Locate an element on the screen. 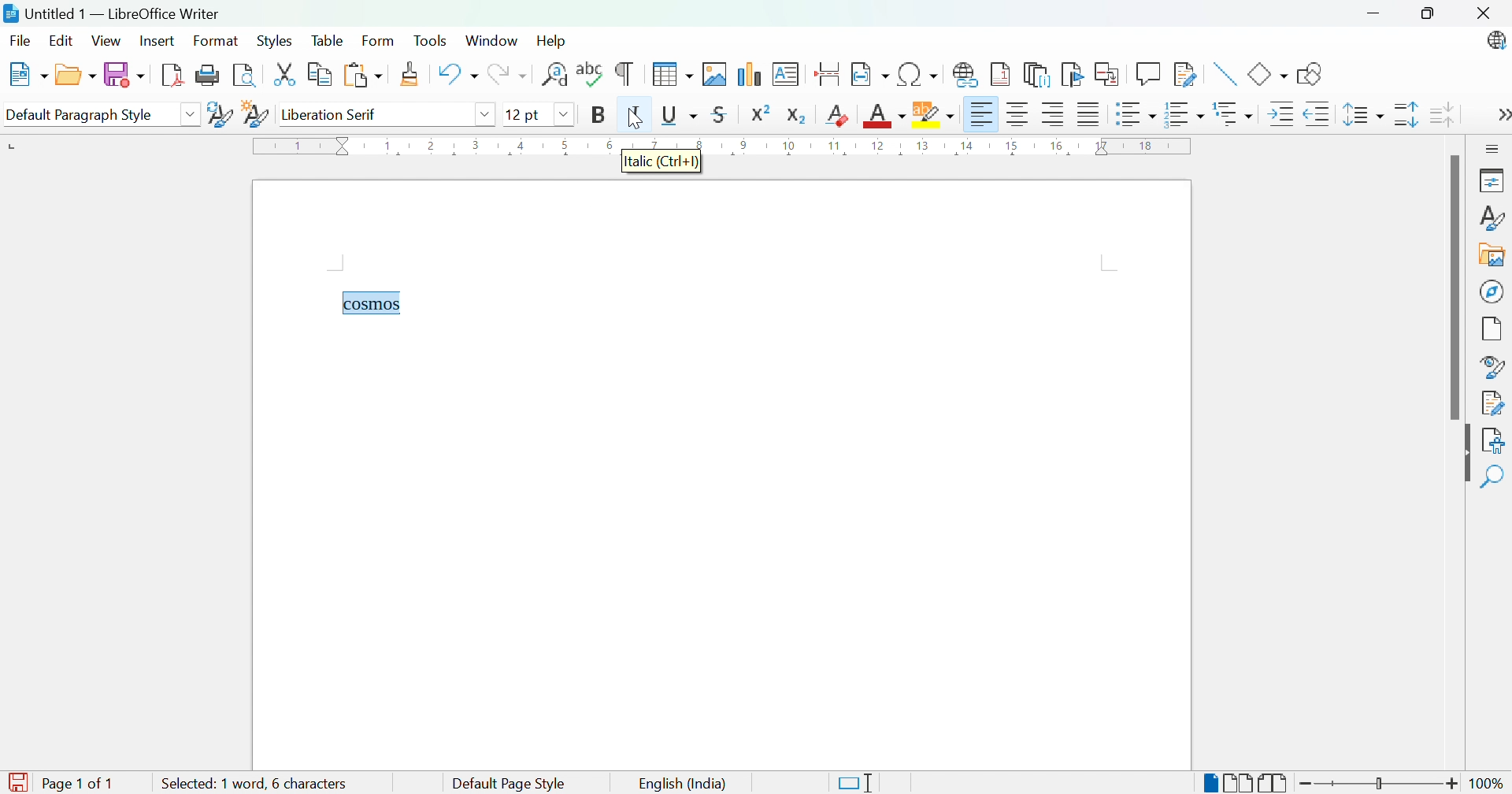 The height and width of the screenshot is (794, 1512). Find and replace is located at coordinates (555, 76).